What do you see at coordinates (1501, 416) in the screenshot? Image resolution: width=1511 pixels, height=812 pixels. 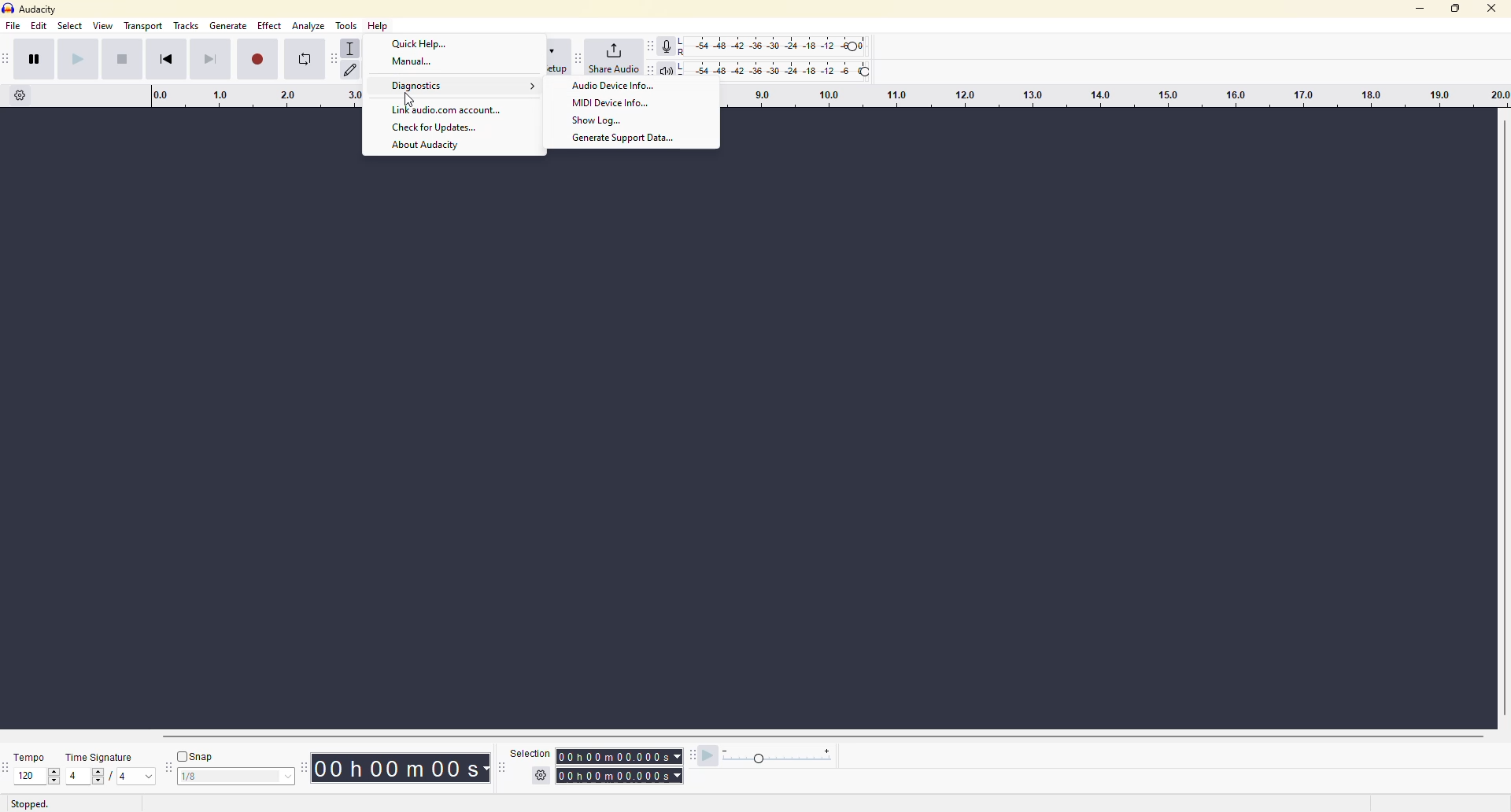 I see `Vertical Scrollbar` at bounding box center [1501, 416].